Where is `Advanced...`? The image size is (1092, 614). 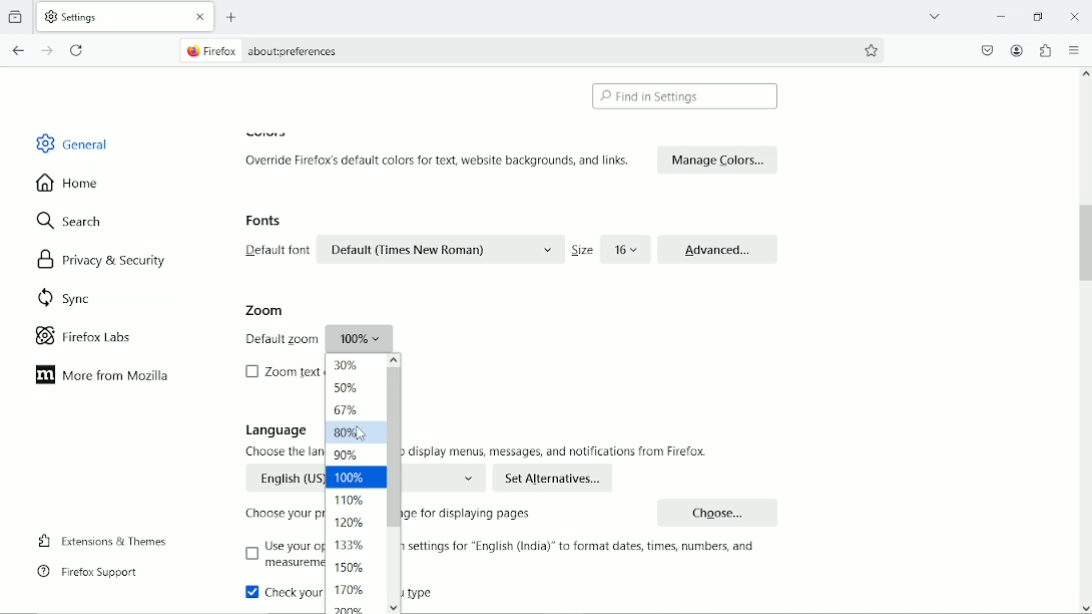
Advanced... is located at coordinates (718, 247).